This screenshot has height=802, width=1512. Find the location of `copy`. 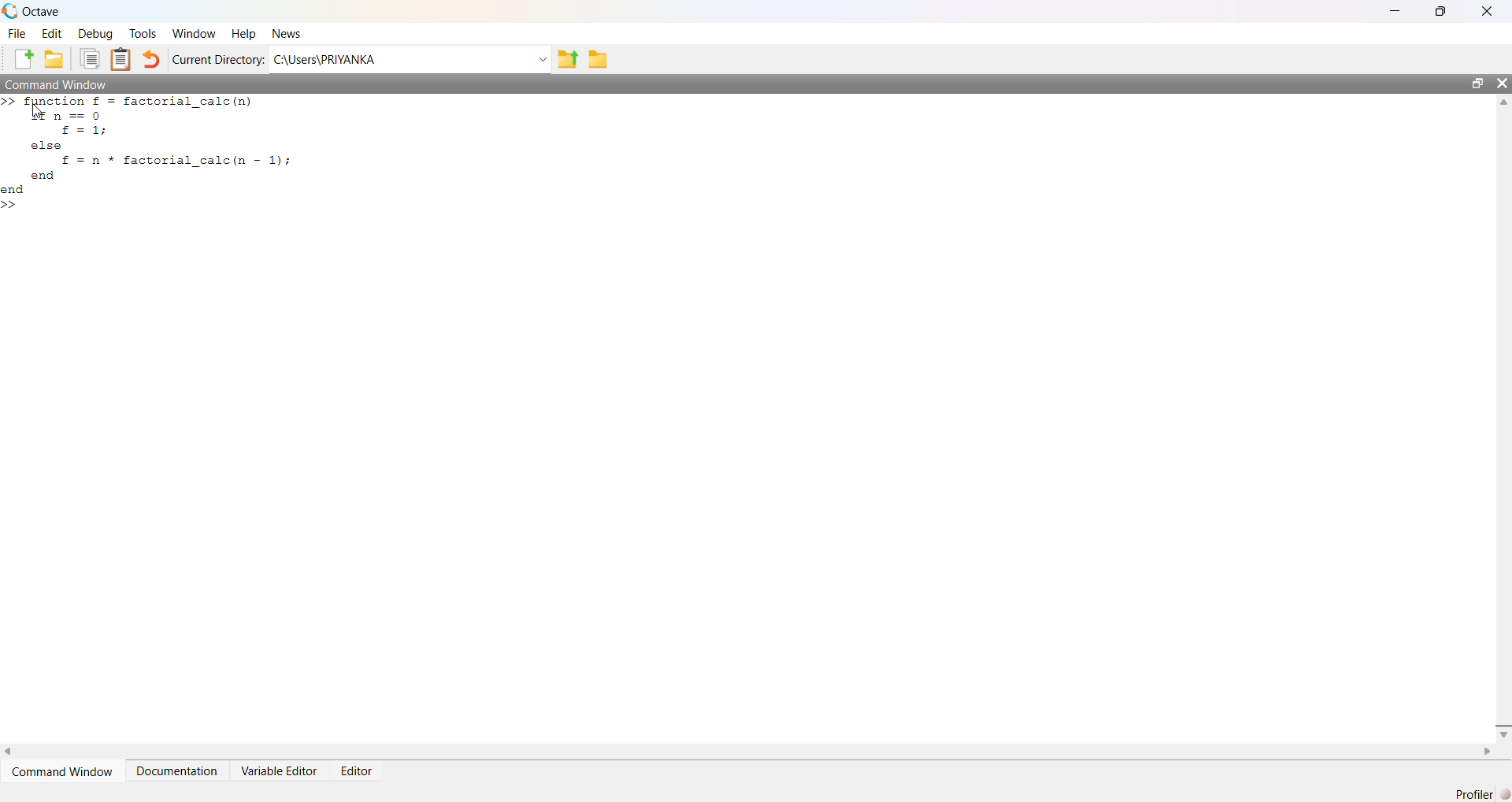

copy is located at coordinates (90, 58).